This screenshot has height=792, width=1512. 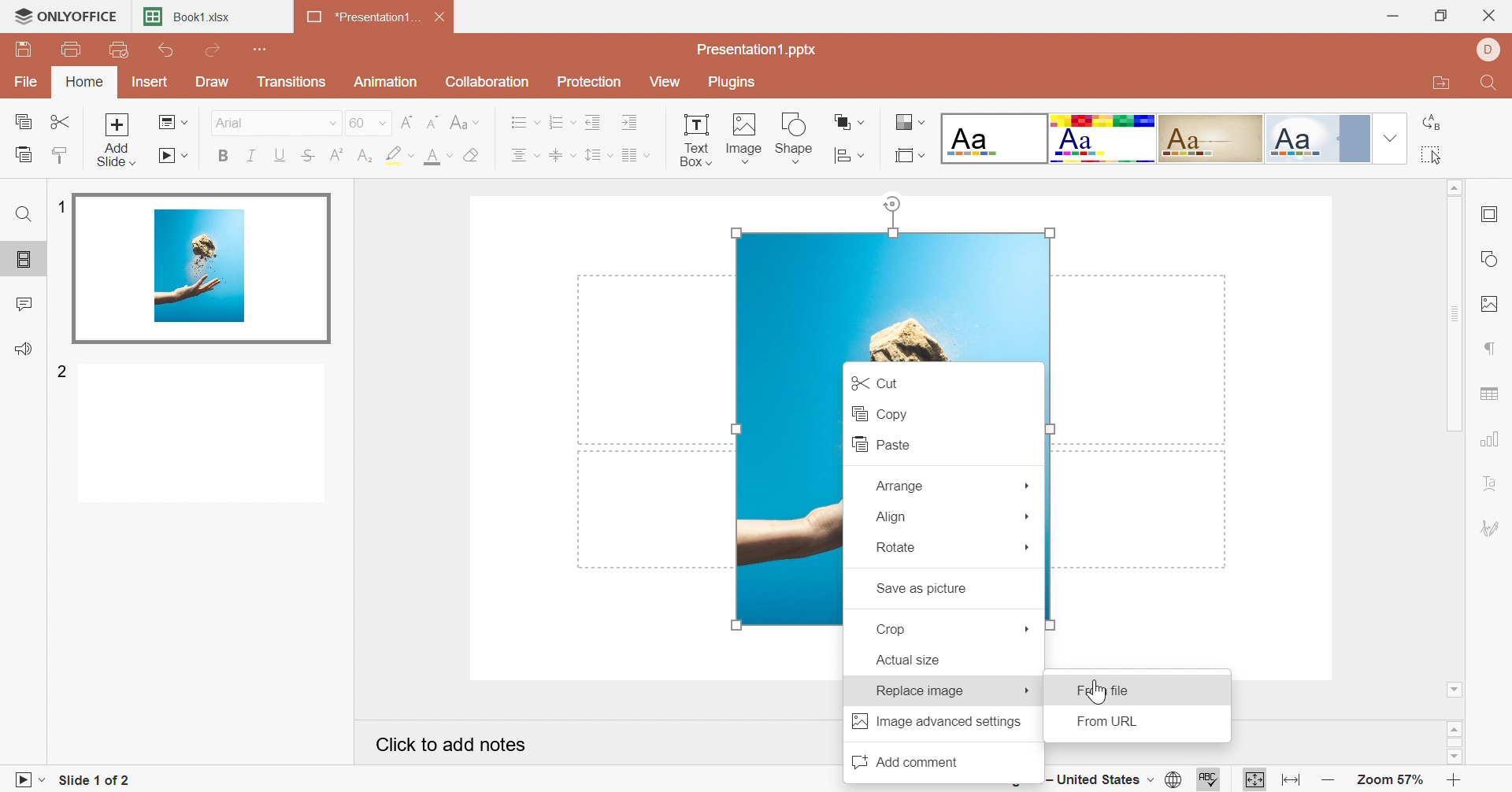 What do you see at coordinates (632, 120) in the screenshot?
I see `Increase indent` at bounding box center [632, 120].